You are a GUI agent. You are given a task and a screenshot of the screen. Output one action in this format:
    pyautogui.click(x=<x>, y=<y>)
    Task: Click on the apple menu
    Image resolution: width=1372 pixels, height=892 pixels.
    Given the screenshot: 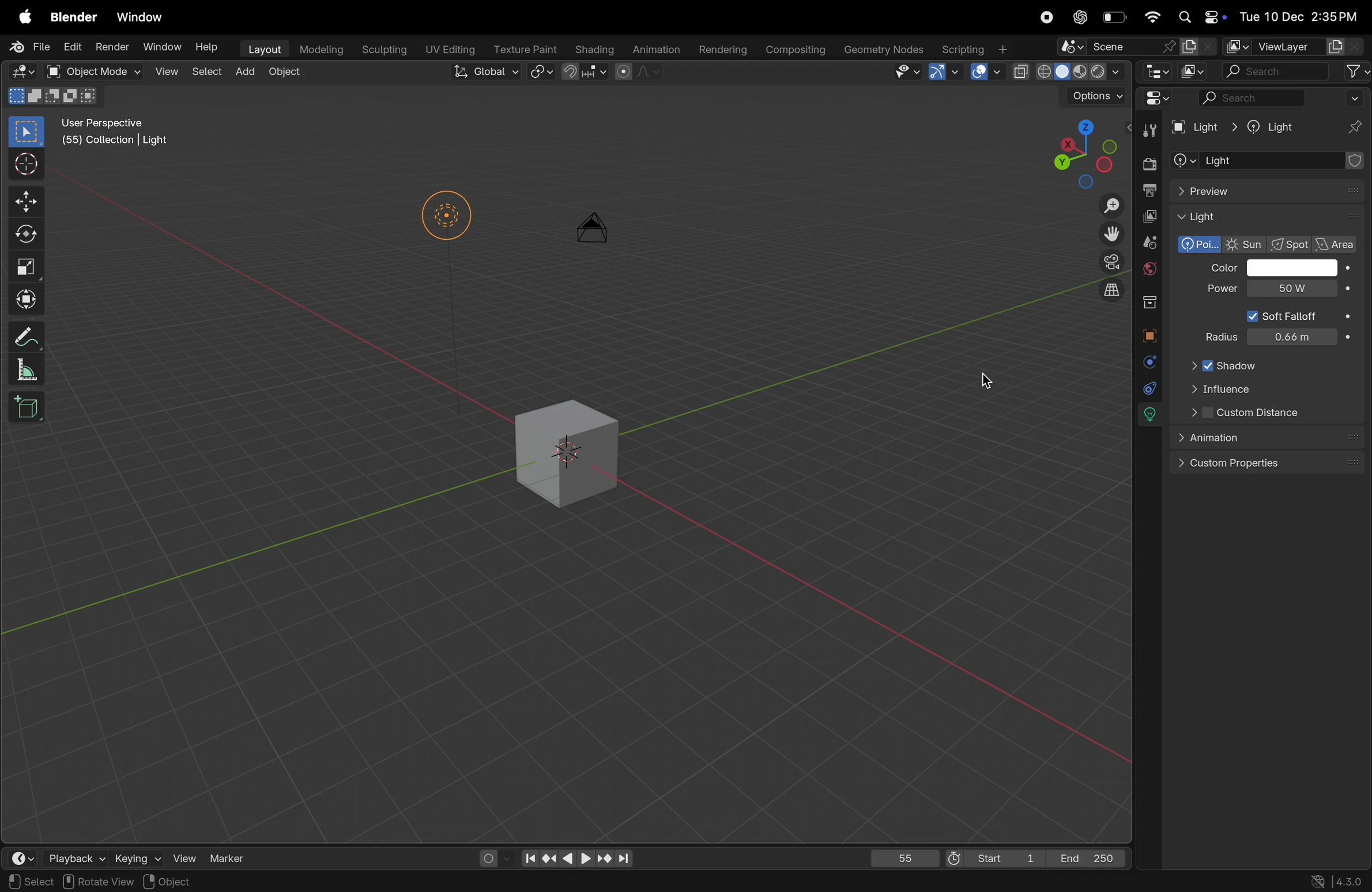 What is the action you would take?
    pyautogui.click(x=21, y=16)
    